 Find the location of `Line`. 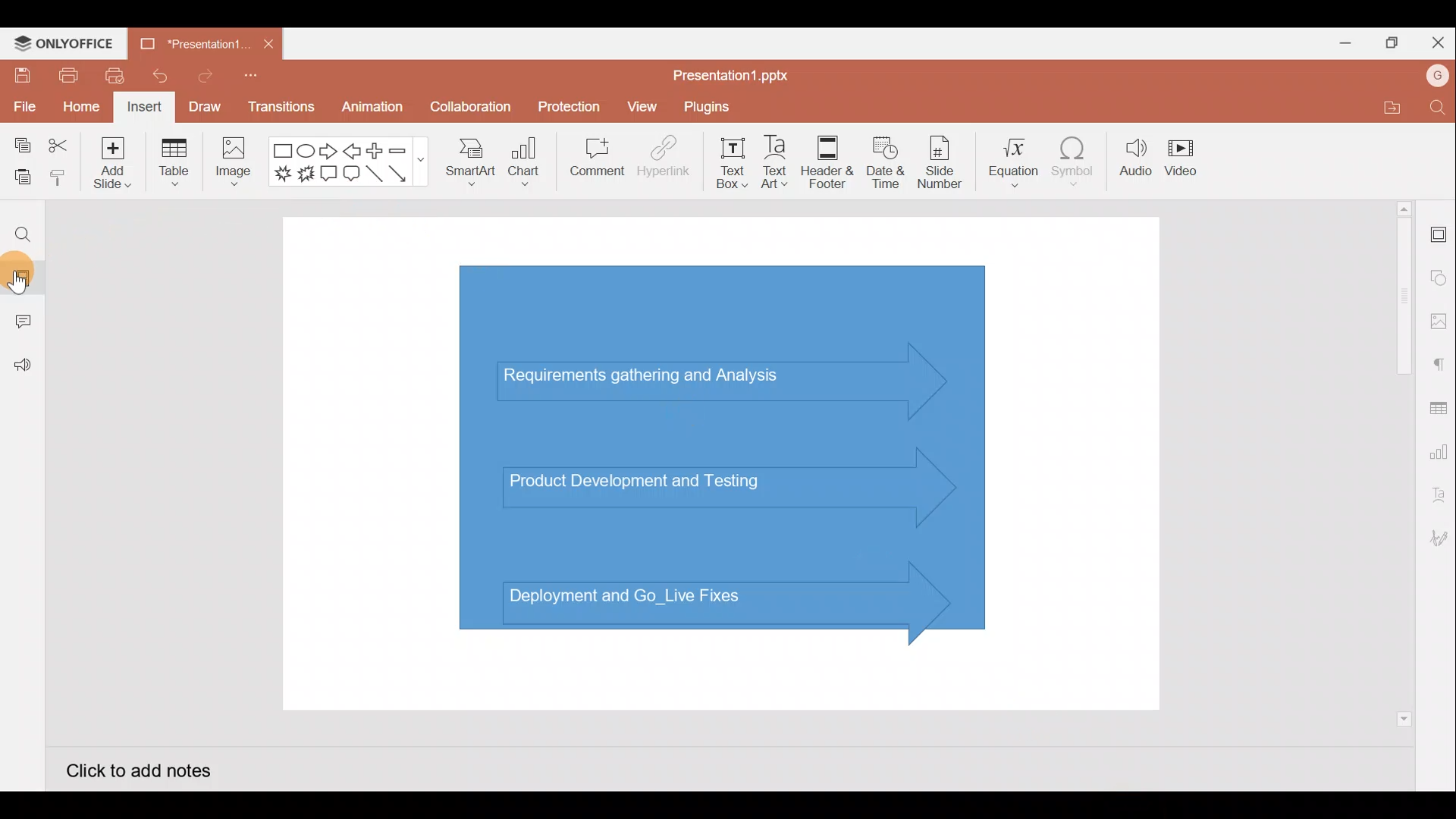

Line is located at coordinates (374, 174).